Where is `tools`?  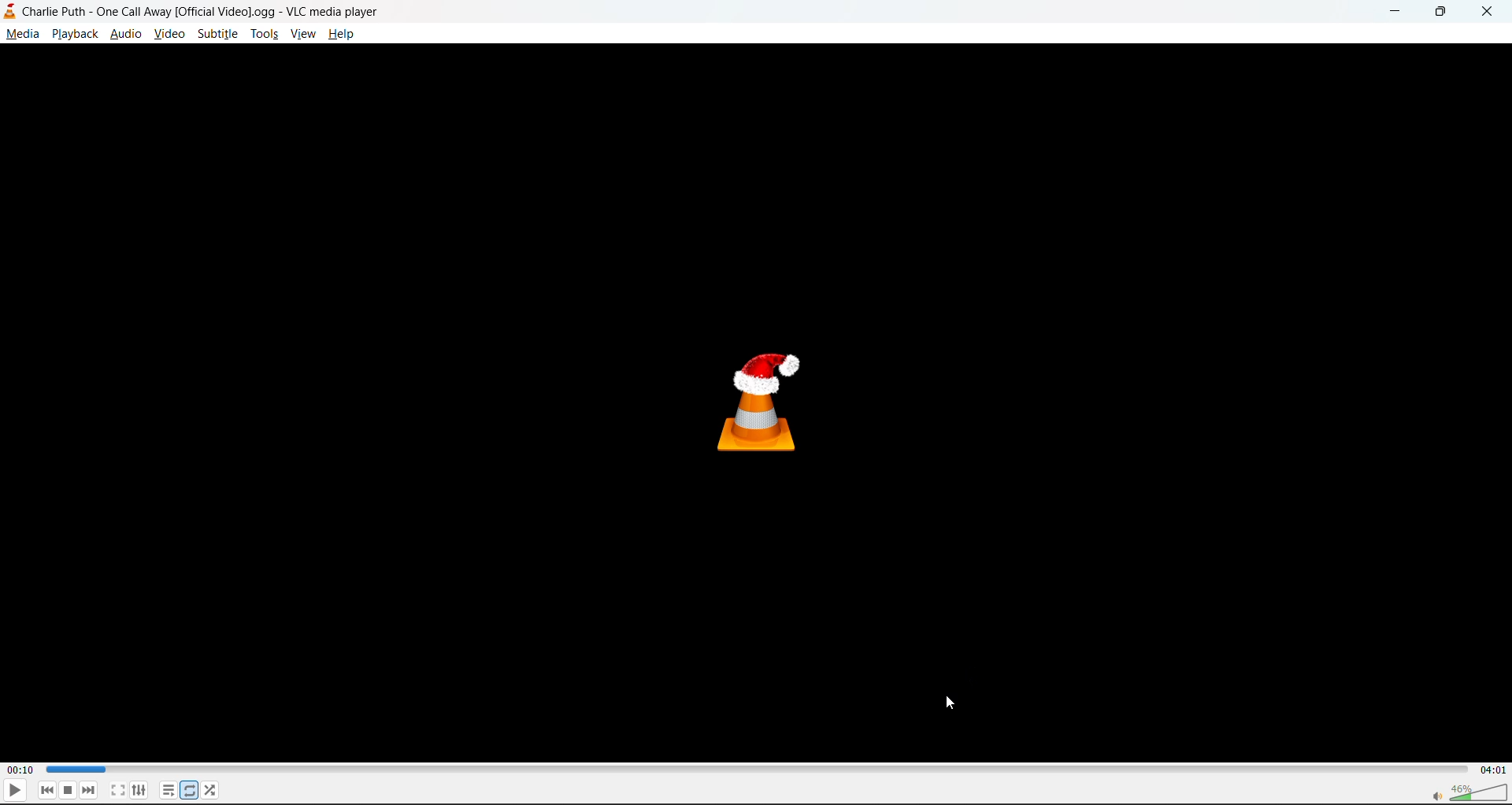
tools is located at coordinates (265, 33).